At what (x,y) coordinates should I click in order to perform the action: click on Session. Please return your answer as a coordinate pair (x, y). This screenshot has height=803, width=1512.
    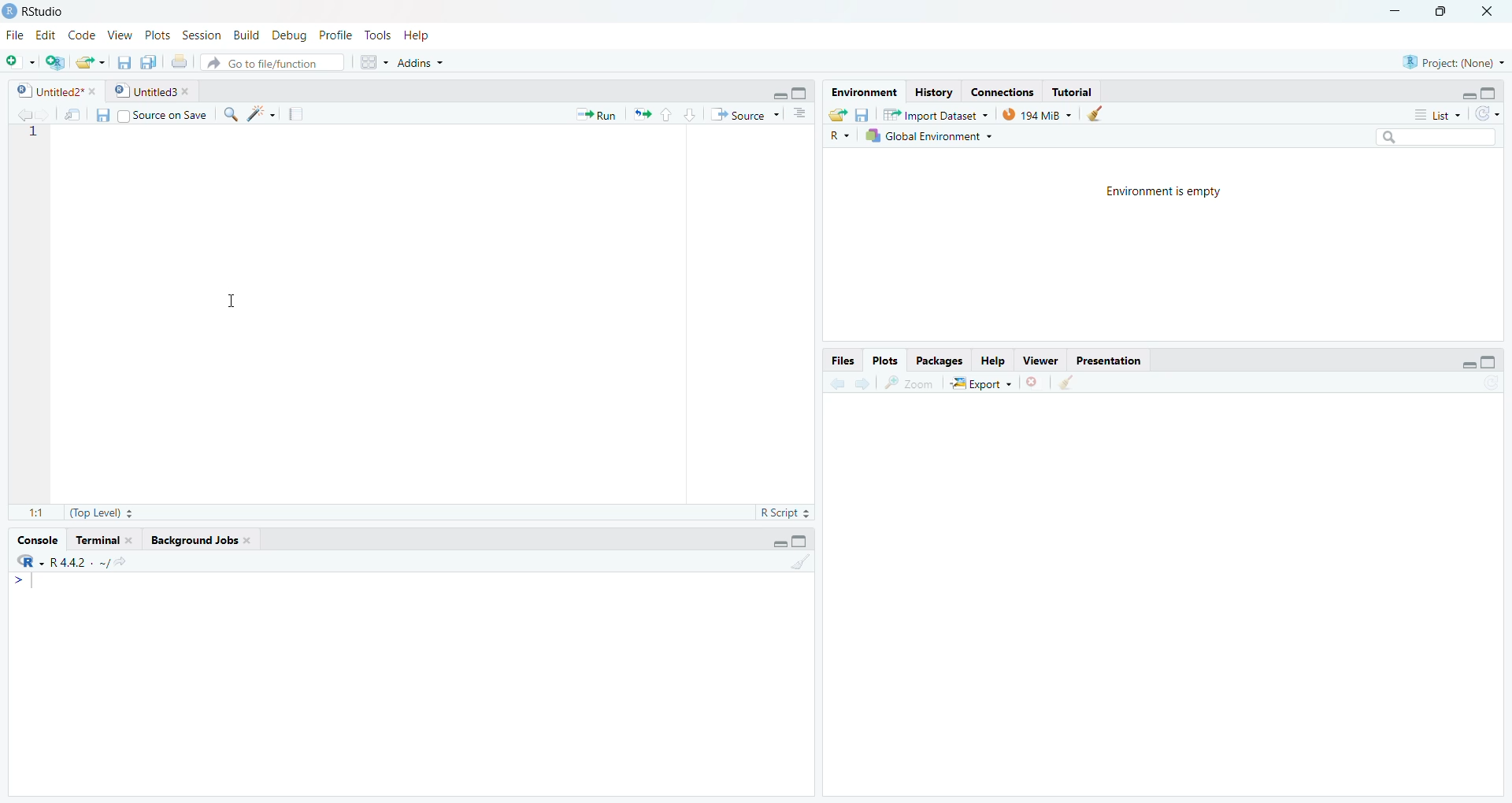
    Looking at the image, I should click on (202, 35).